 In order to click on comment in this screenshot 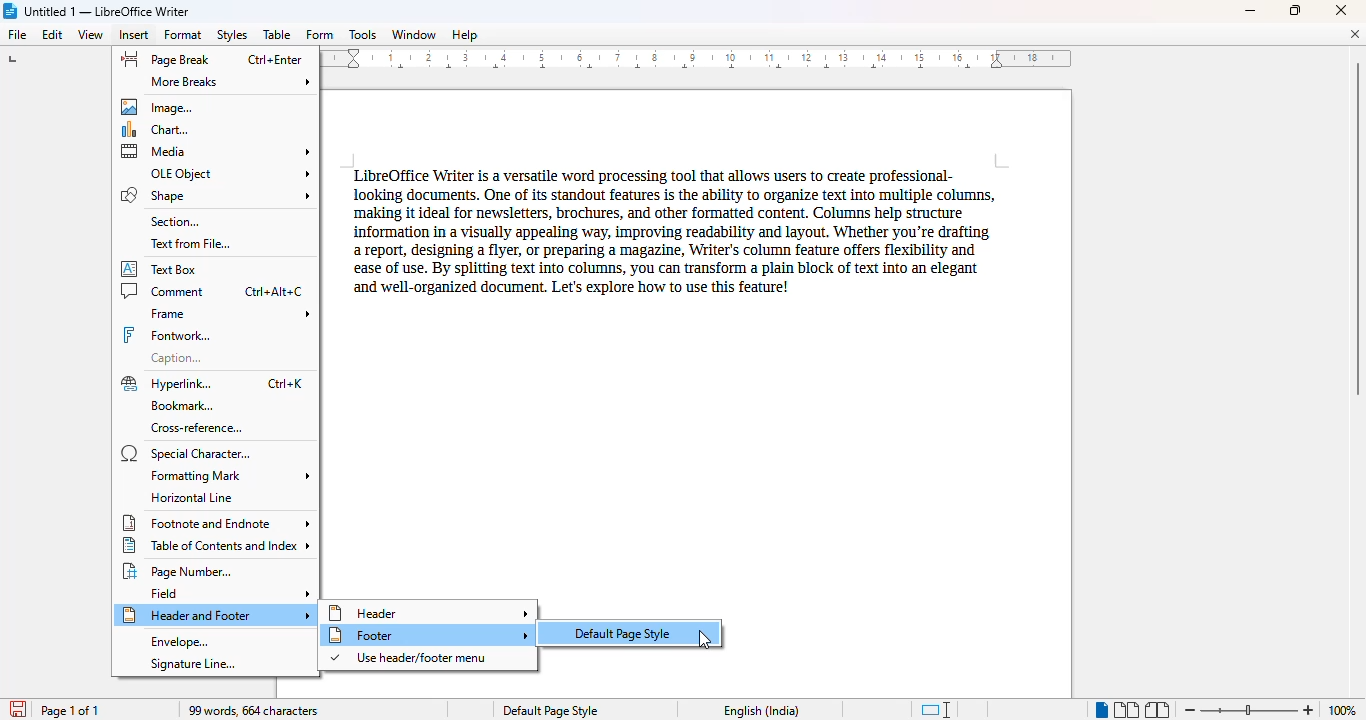, I will do `click(212, 290)`.